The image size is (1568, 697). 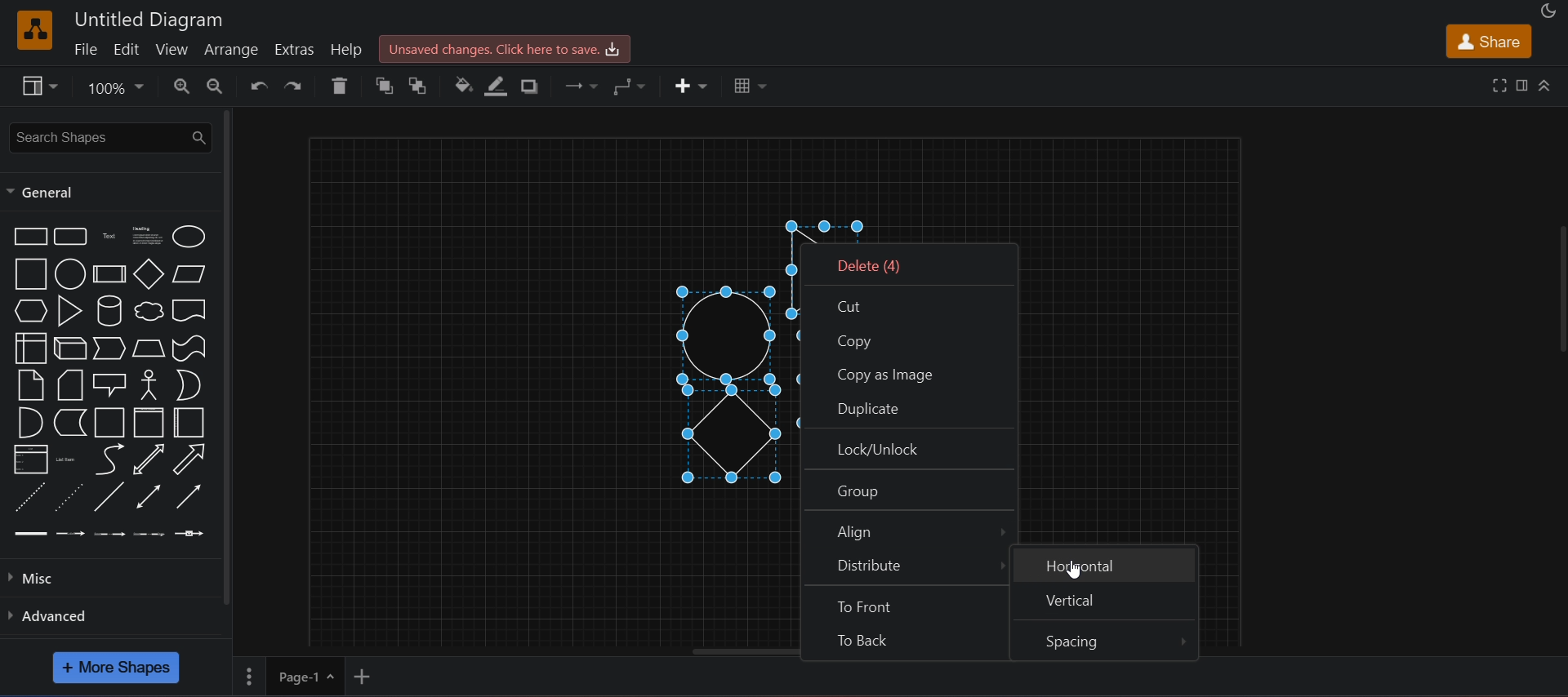 I want to click on misc, so click(x=37, y=580).